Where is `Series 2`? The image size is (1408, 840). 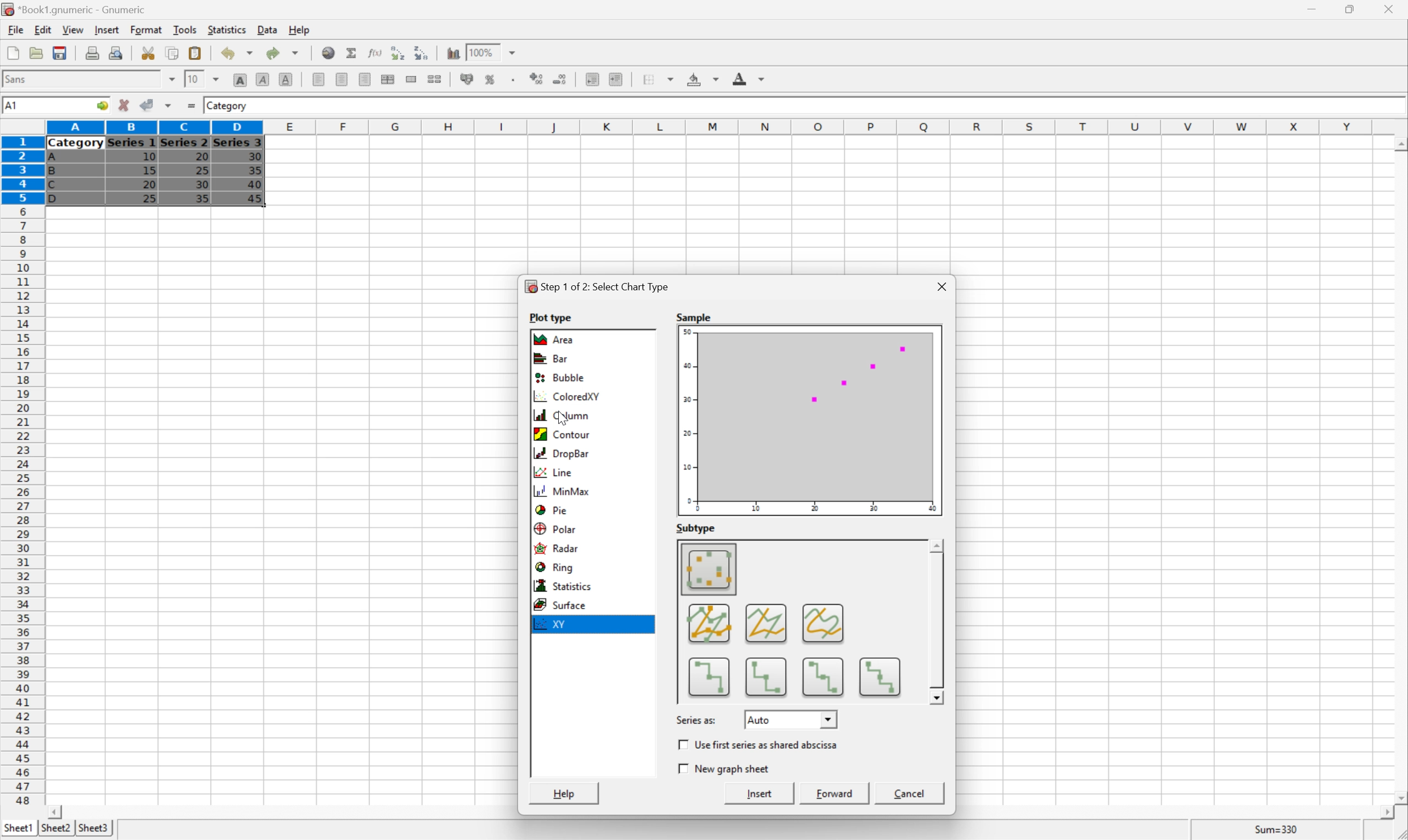 Series 2 is located at coordinates (183, 142).